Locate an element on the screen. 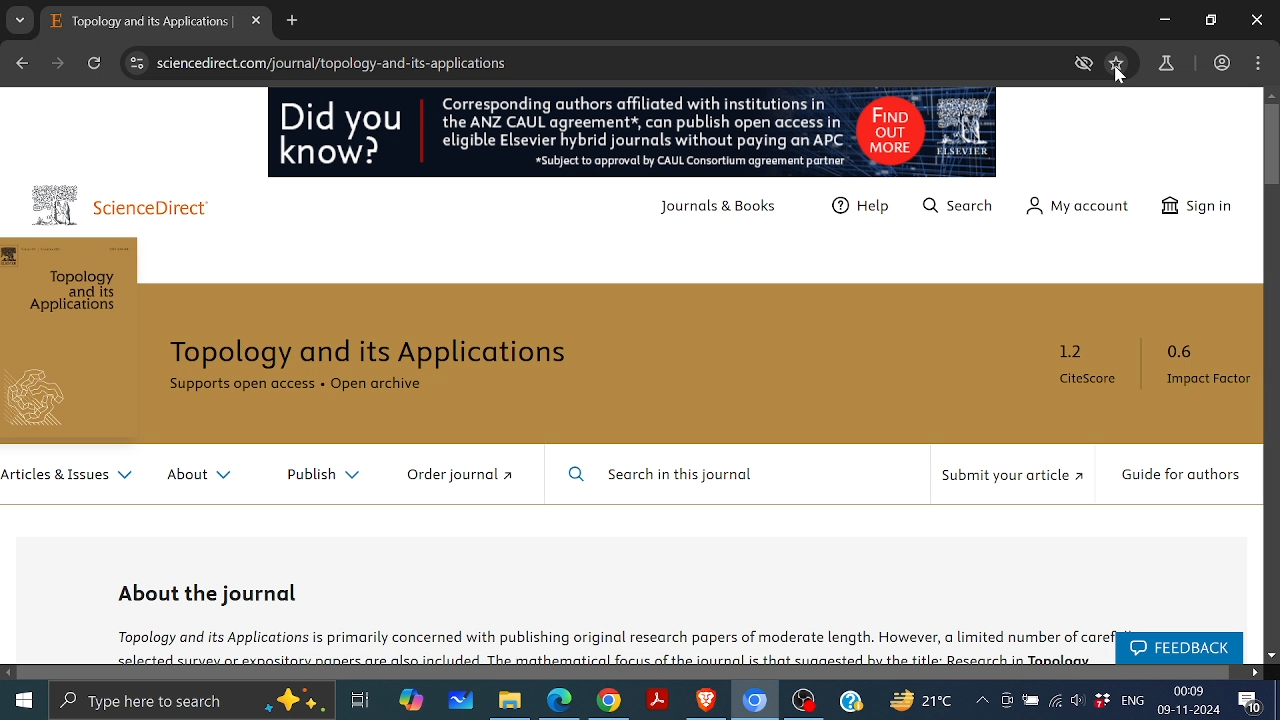  Move right is located at coordinates (1254, 672).